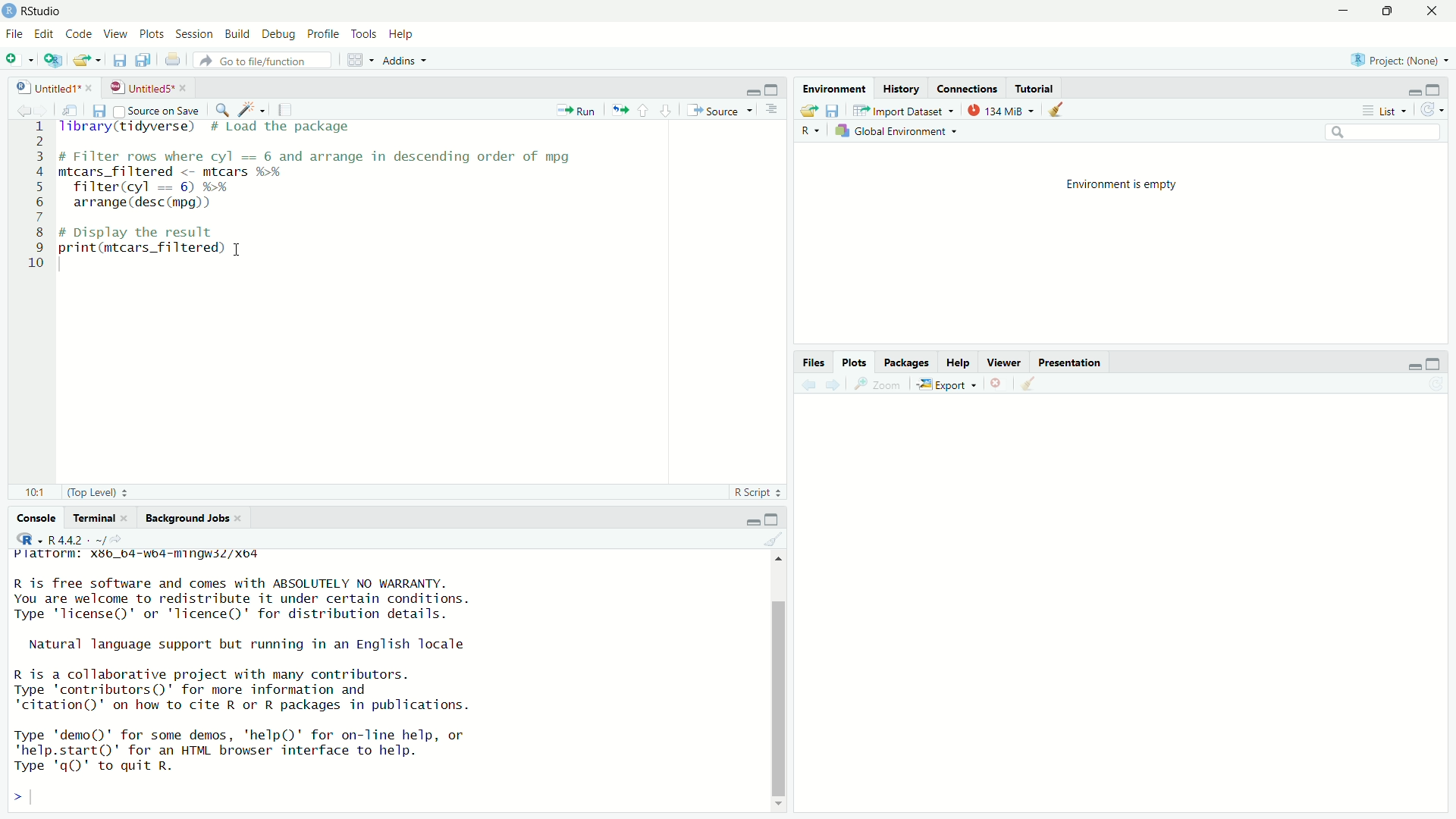 The width and height of the screenshot is (1456, 819). Describe the element at coordinates (401, 34) in the screenshot. I see `Help` at that location.